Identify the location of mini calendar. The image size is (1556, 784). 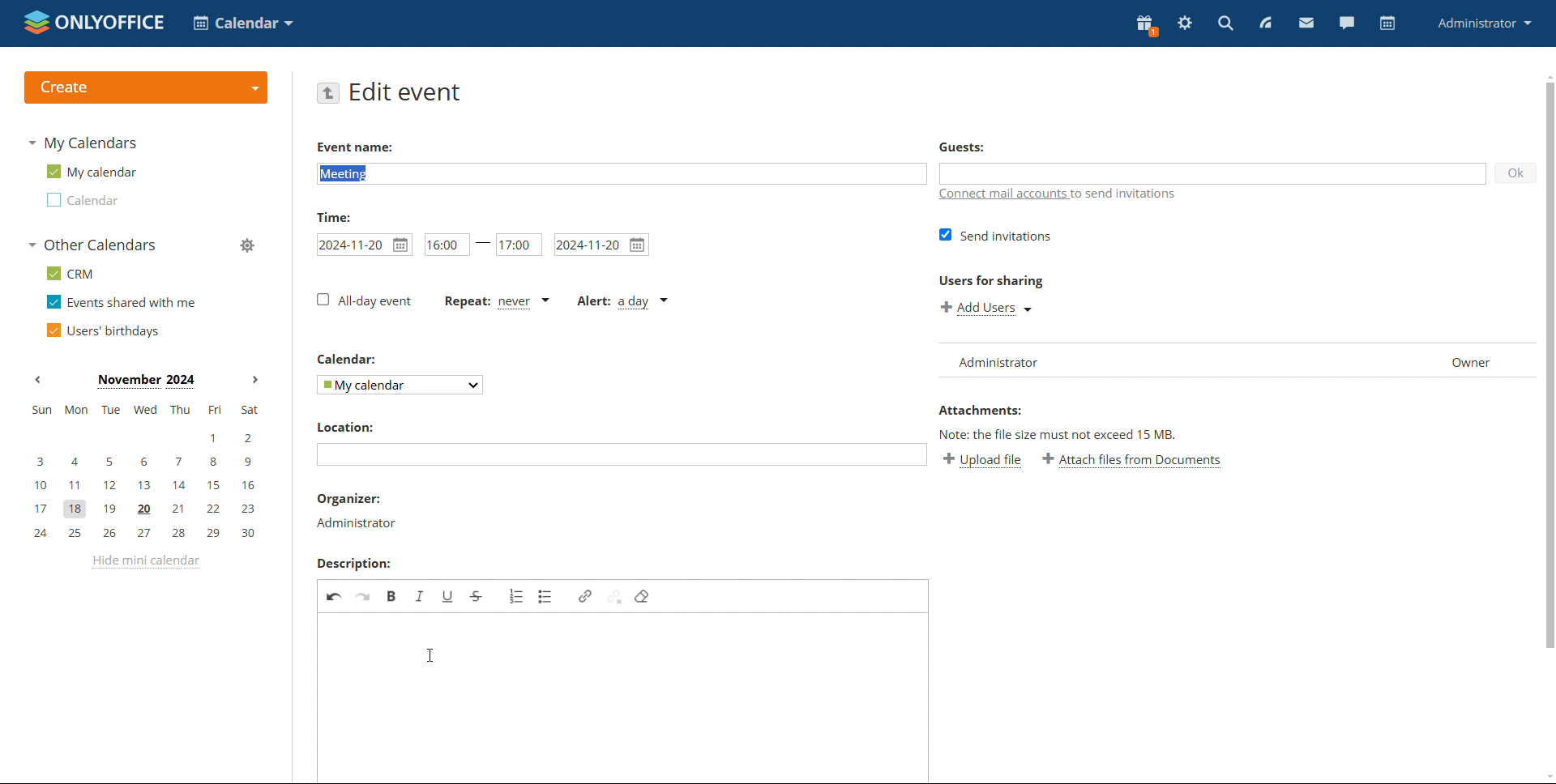
(145, 472).